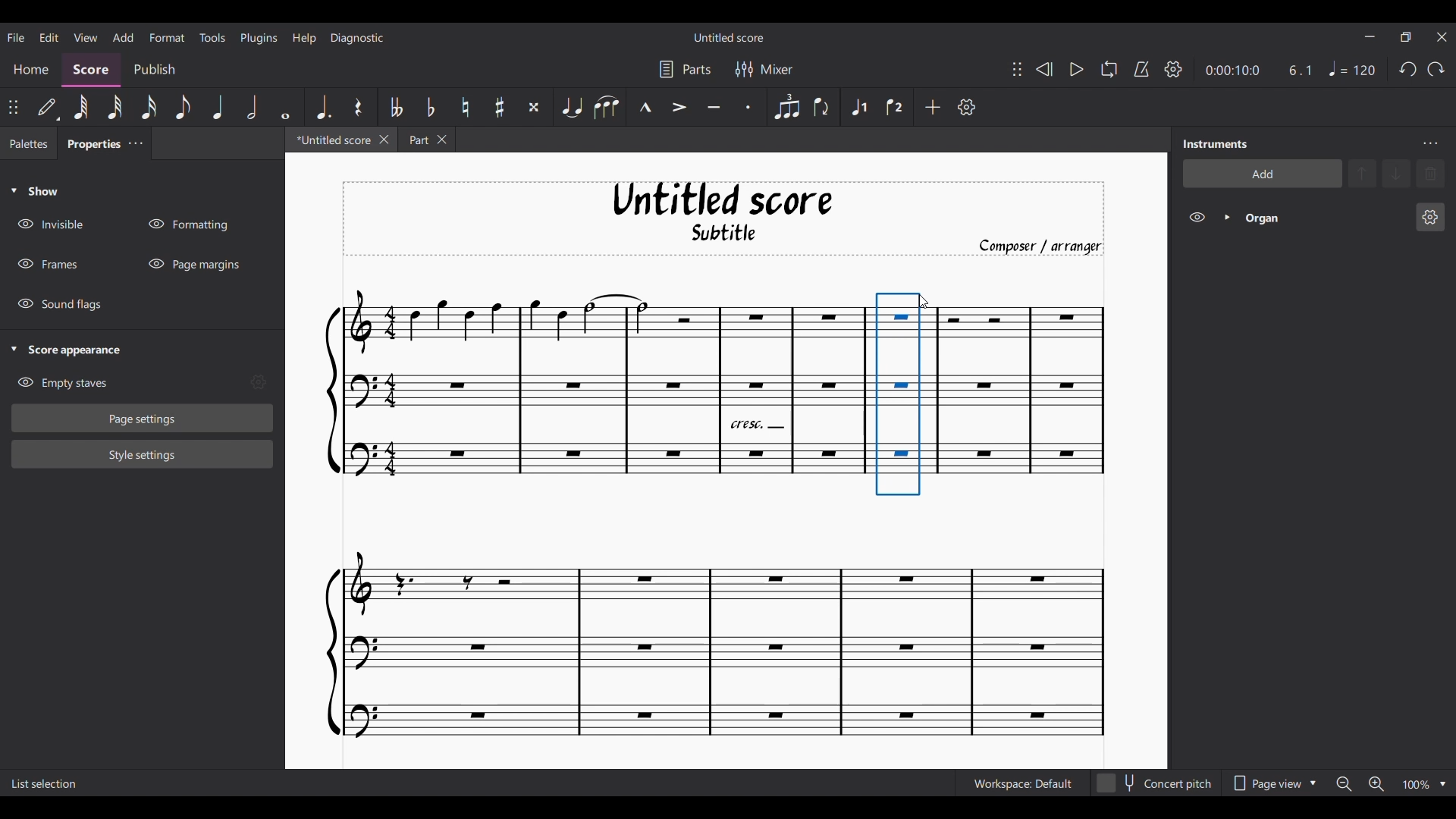  What do you see at coordinates (644, 108) in the screenshot?
I see `Marcato` at bounding box center [644, 108].